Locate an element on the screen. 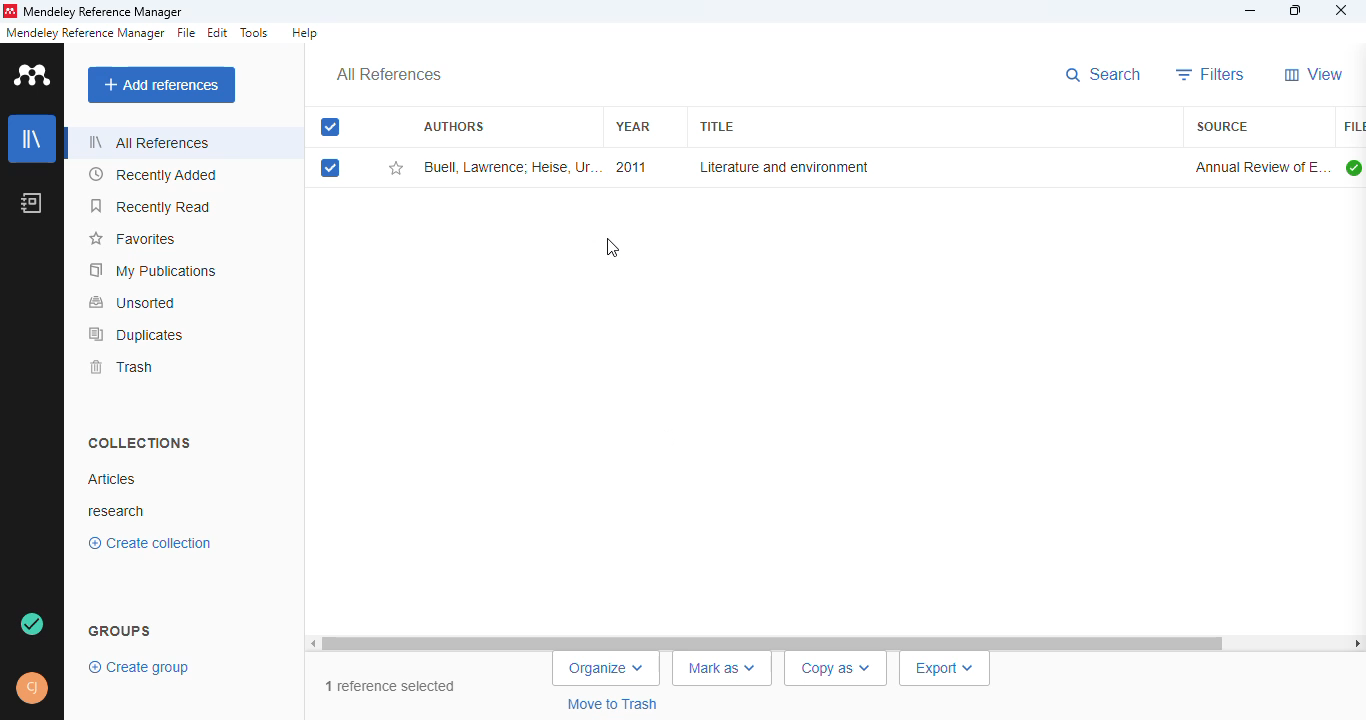  source is located at coordinates (1222, 126).